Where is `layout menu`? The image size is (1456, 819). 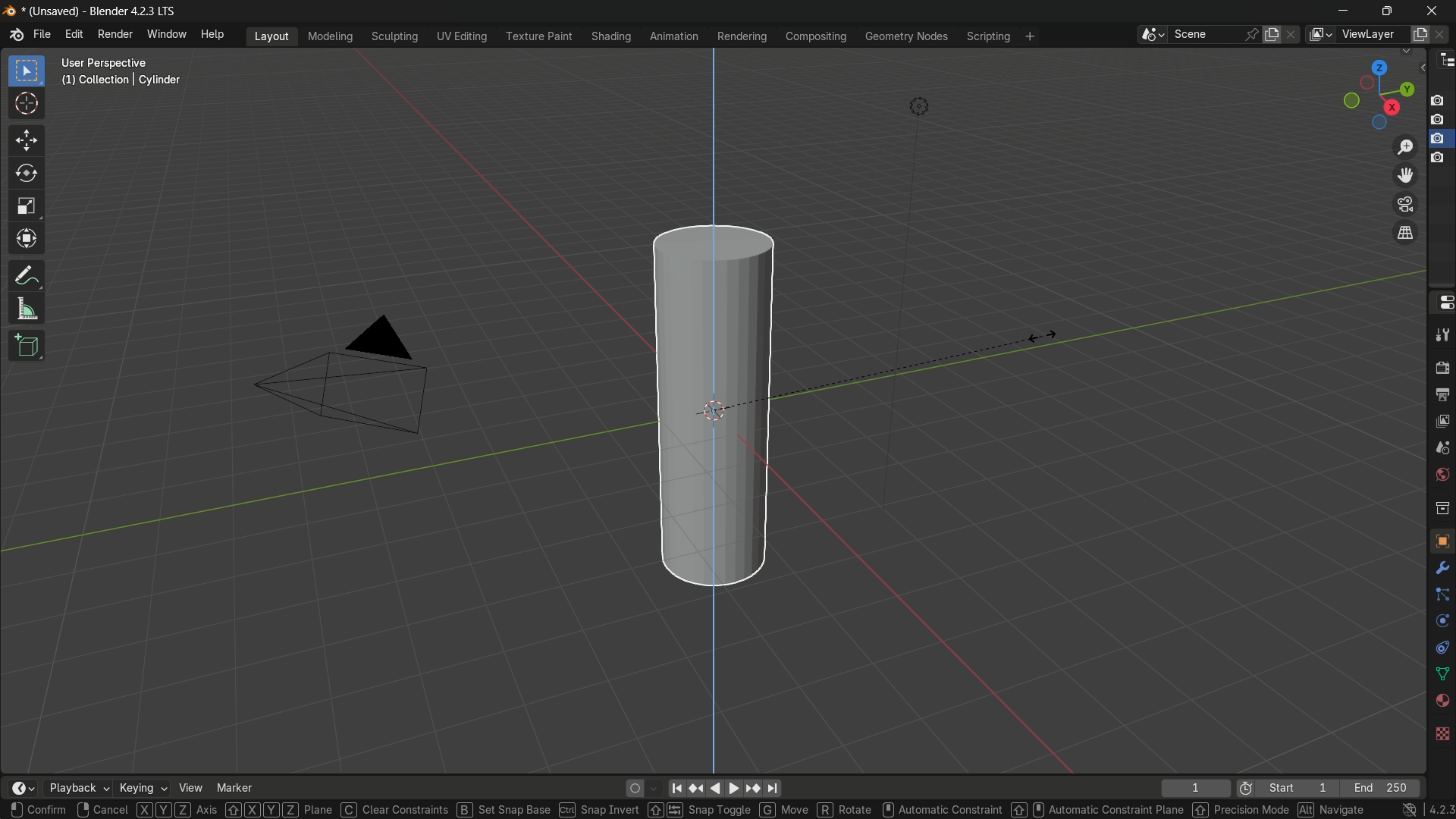
layout menu is located at coordinates (273, 36).